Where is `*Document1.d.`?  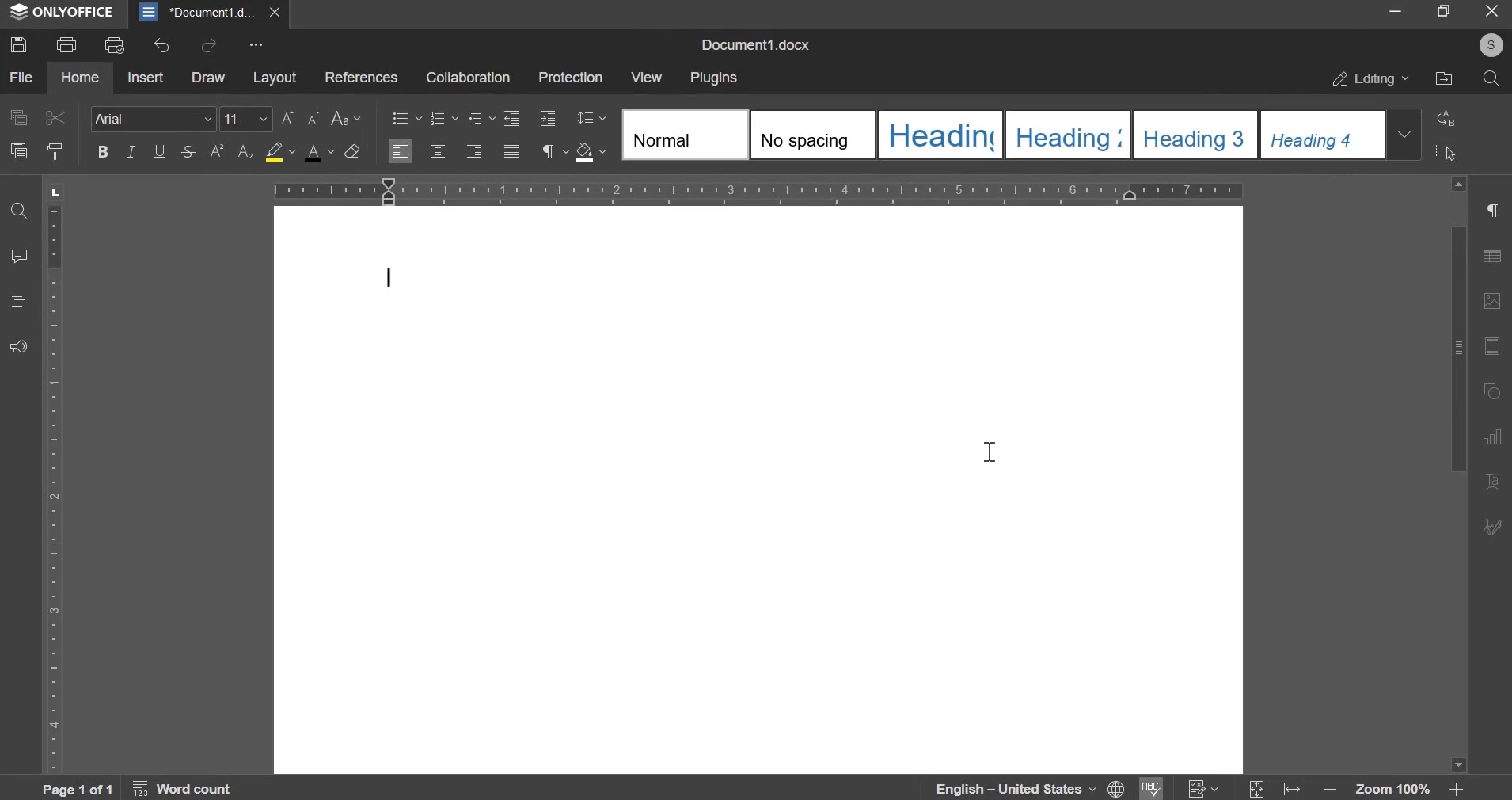 *Document1.d. is located at coordinates (213, 13).